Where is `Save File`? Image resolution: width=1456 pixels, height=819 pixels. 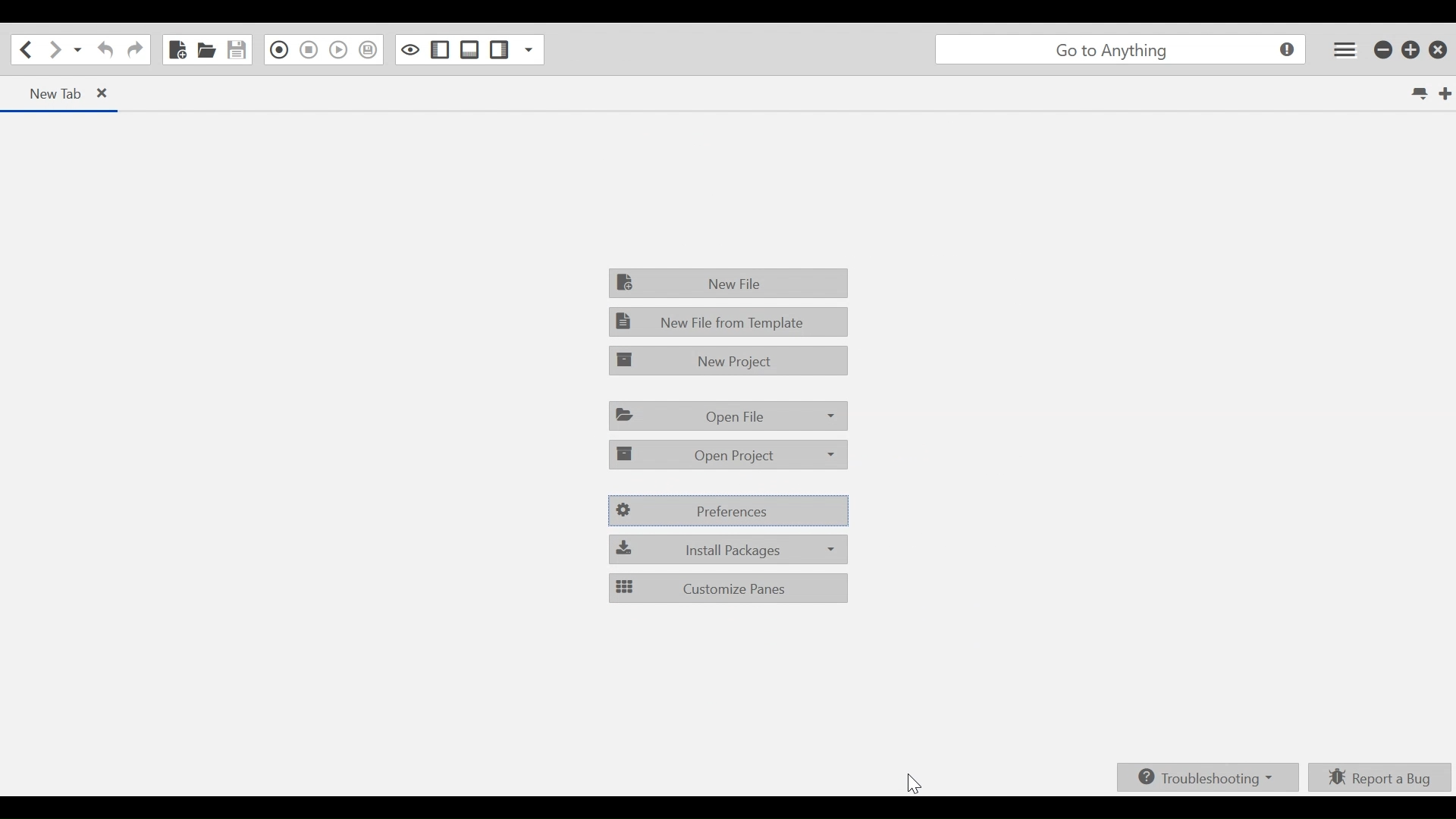
Save File is located at coordinates (236, 50).